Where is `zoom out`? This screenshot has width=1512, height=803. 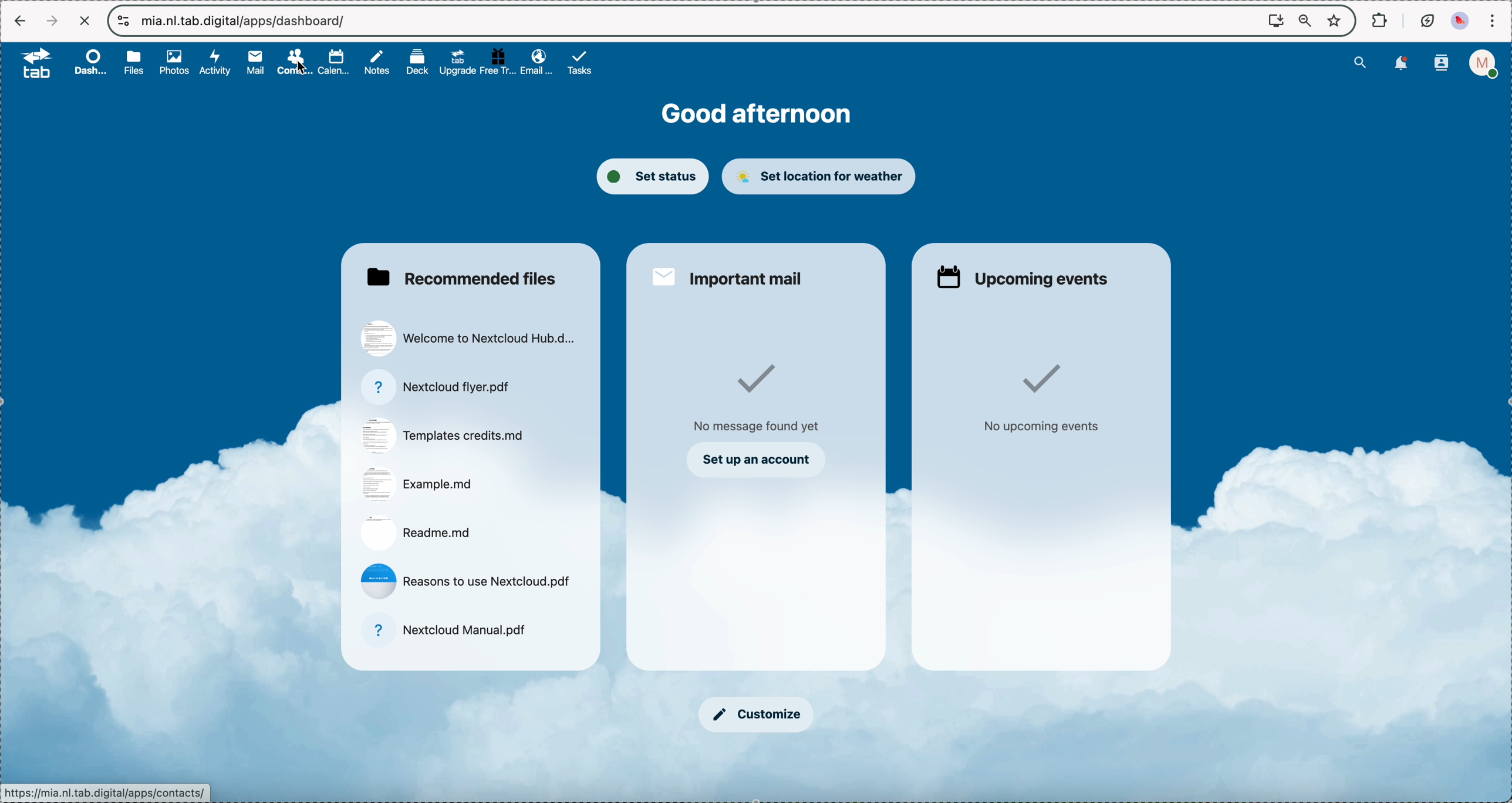 zoom out is located at coordinates (1304, 18).